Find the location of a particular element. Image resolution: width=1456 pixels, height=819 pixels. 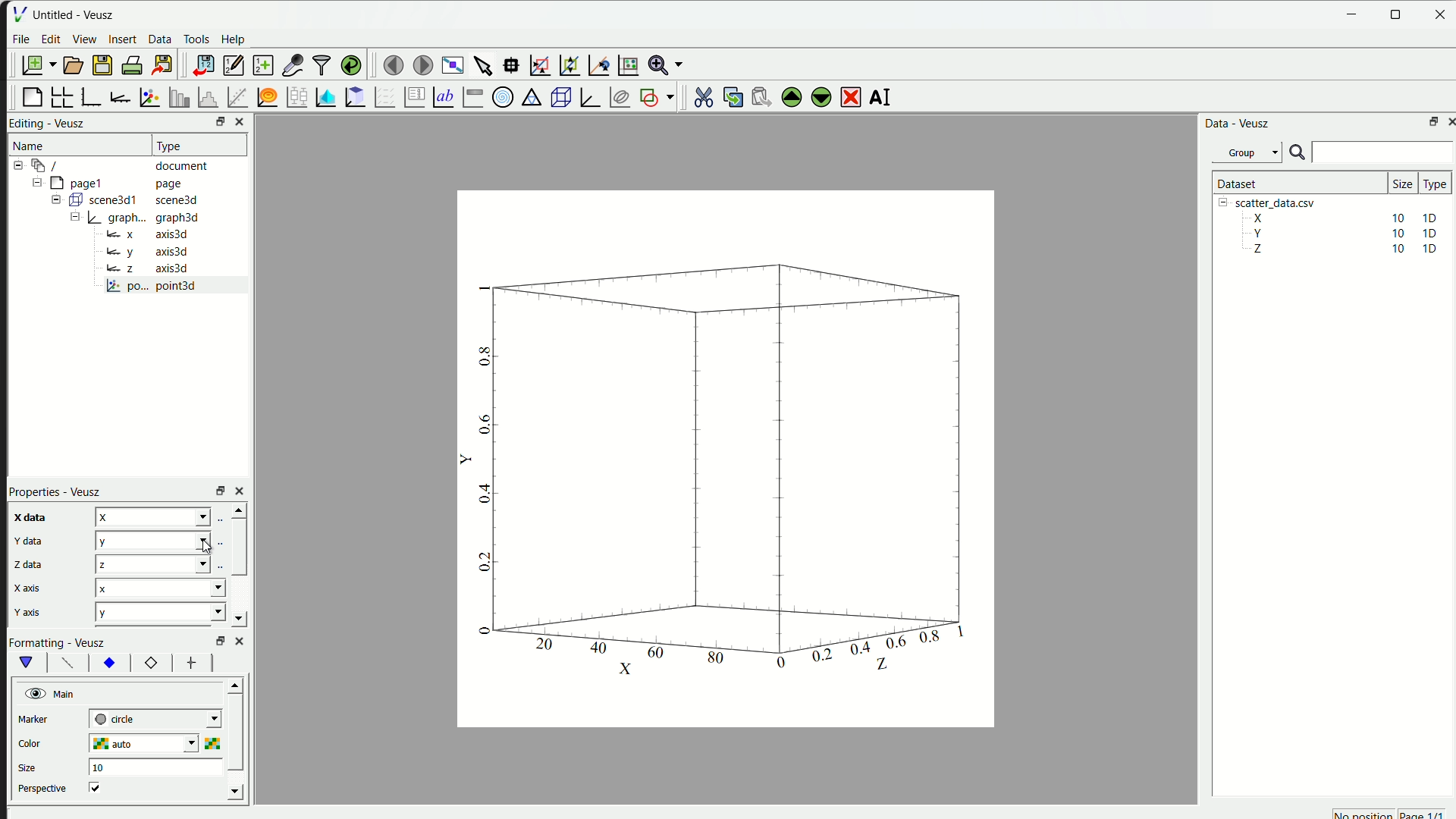

resize is located at coordinates (215, 123).